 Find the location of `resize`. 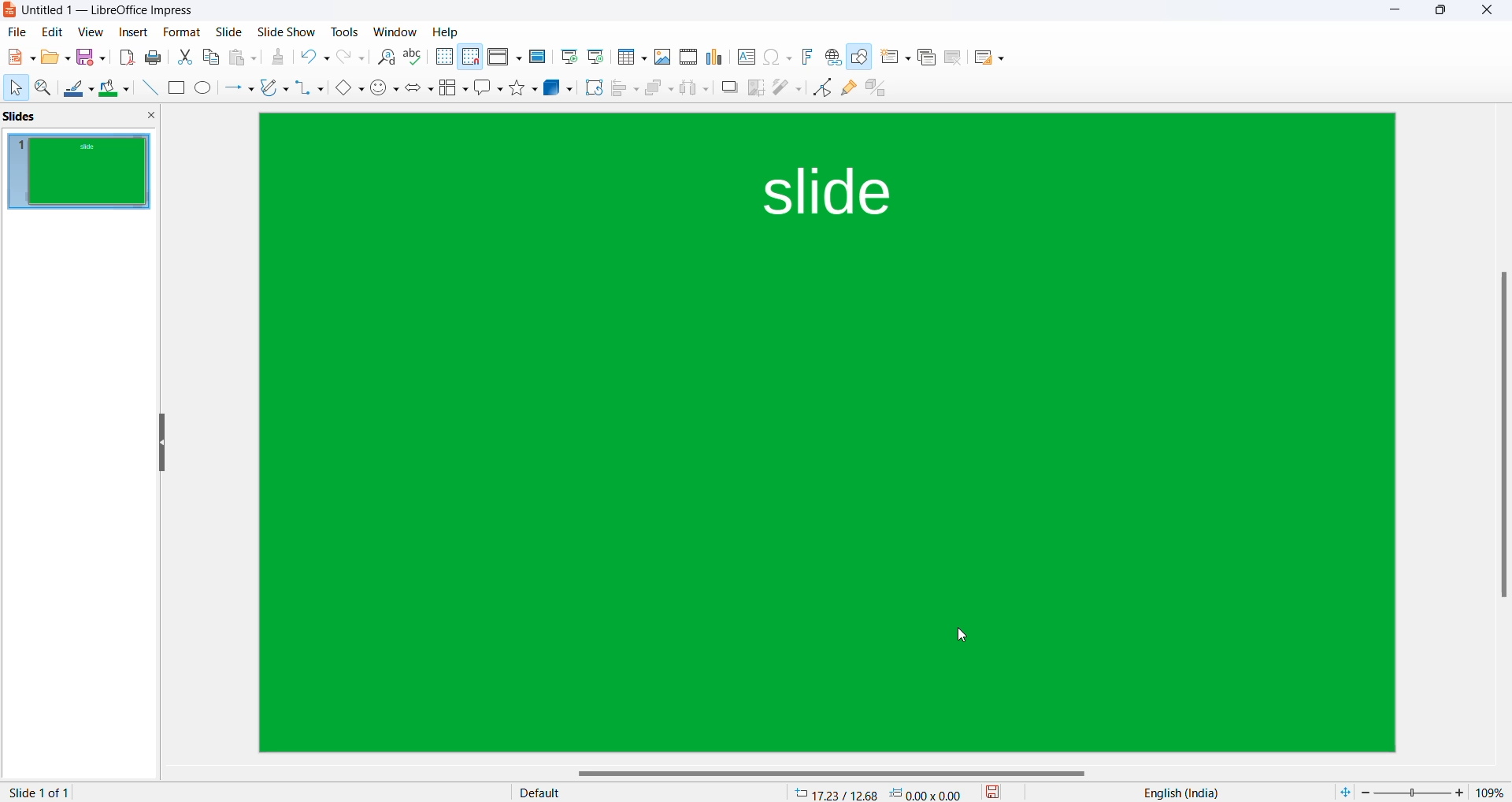

resize is located at coordinates (161, 444).